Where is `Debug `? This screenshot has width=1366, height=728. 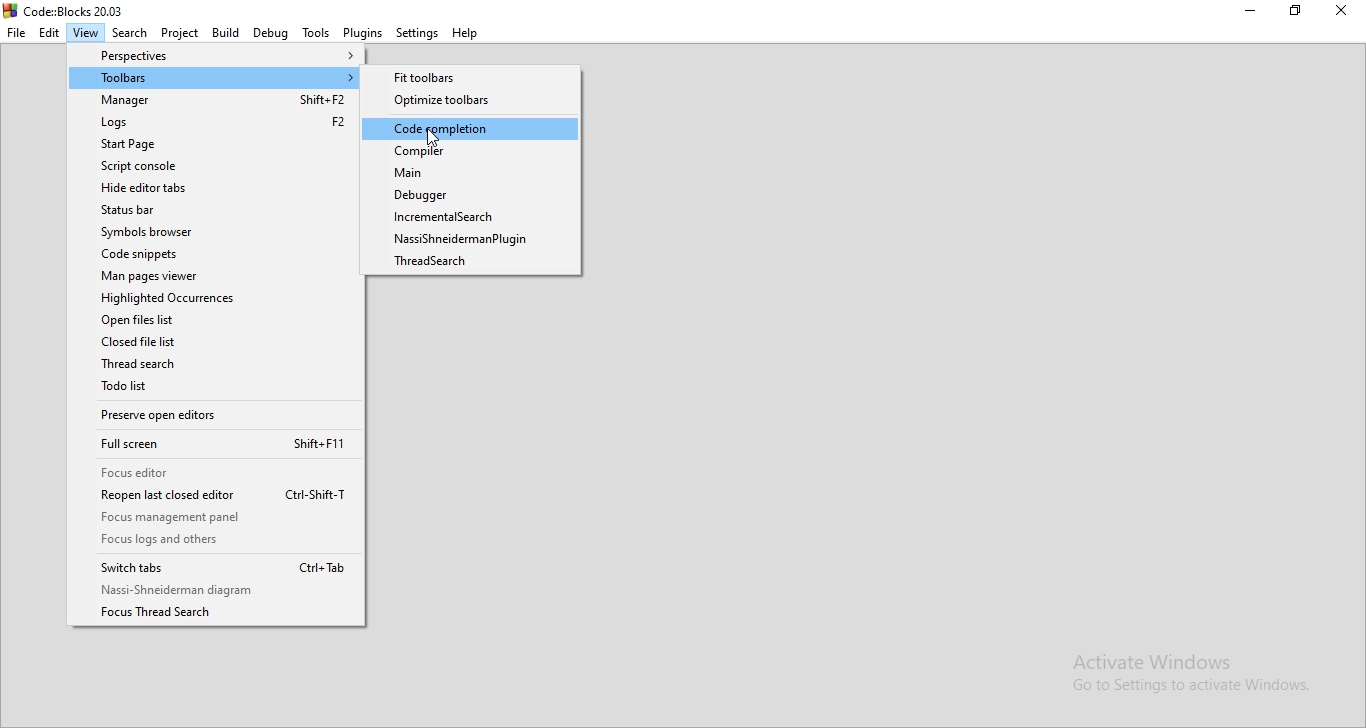
Debug  is located at coordinates (269, 33).